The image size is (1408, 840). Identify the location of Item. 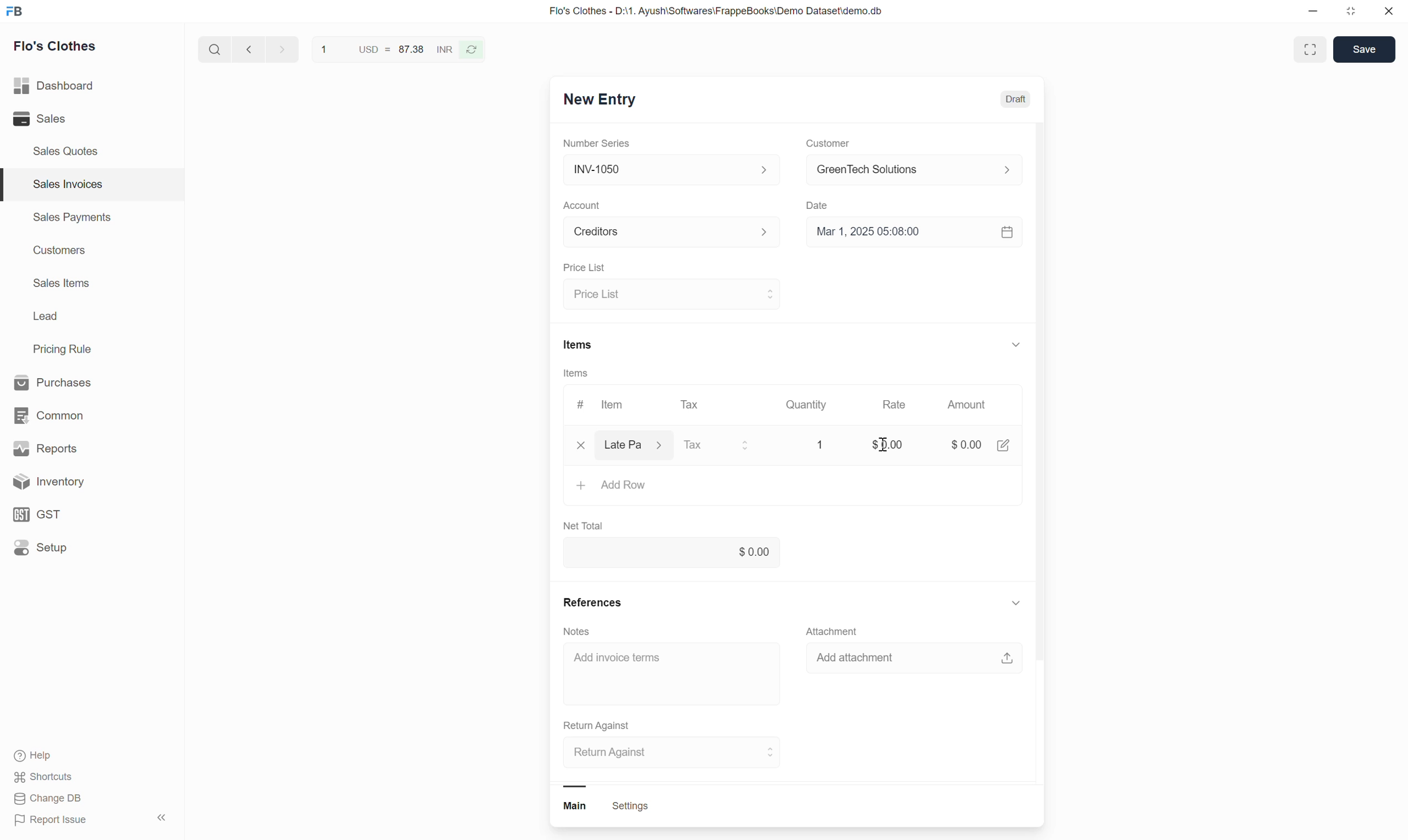
(614, 405).